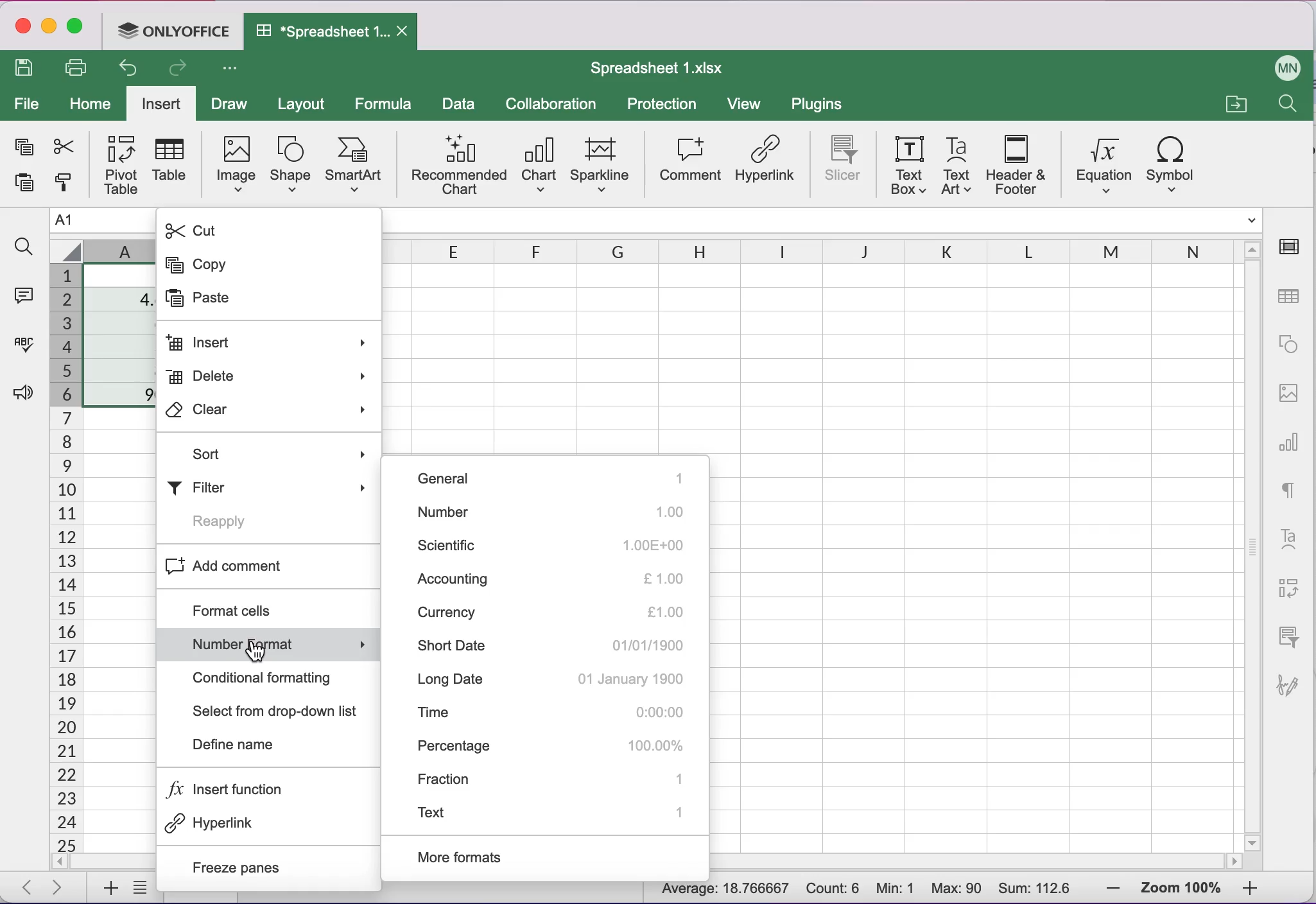 This screenshot has width=1316, height=904. I want to click on accounting, so click(558, 578).